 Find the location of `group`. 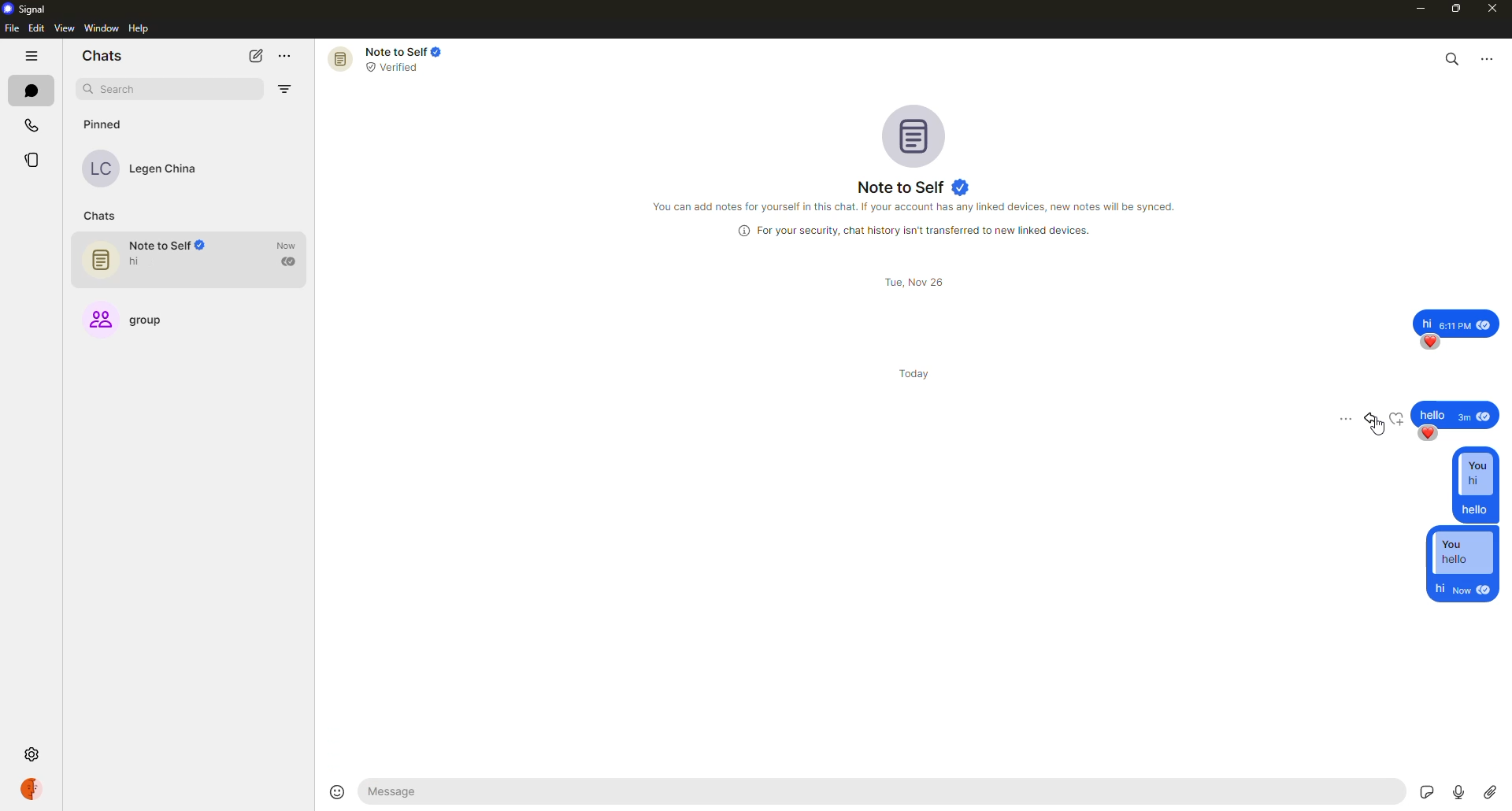

group is located at coordinates (139, 320).